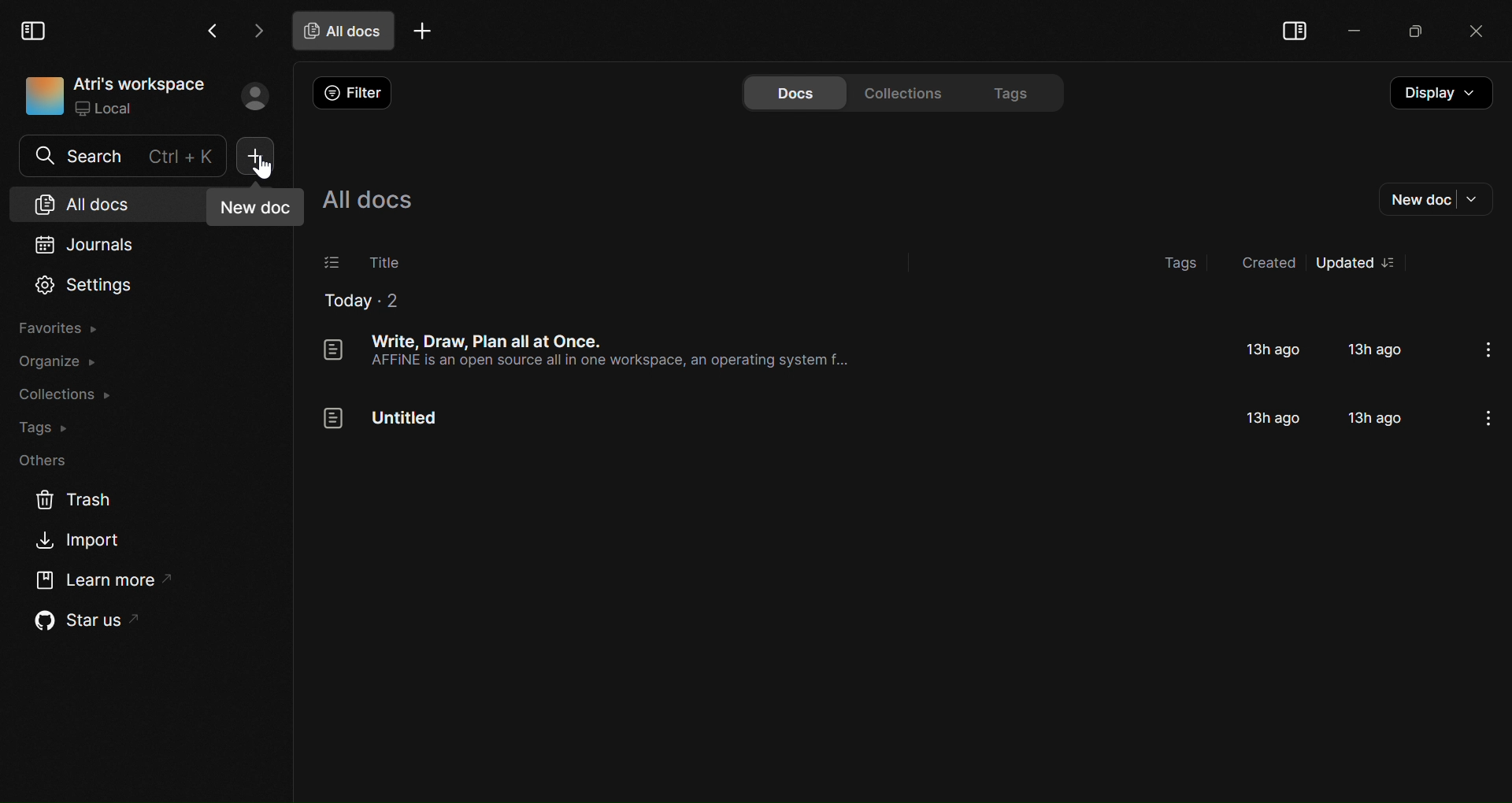 The width and height of the screenshot is (1512, 803). I want to click on Star us, so click(80, 620).